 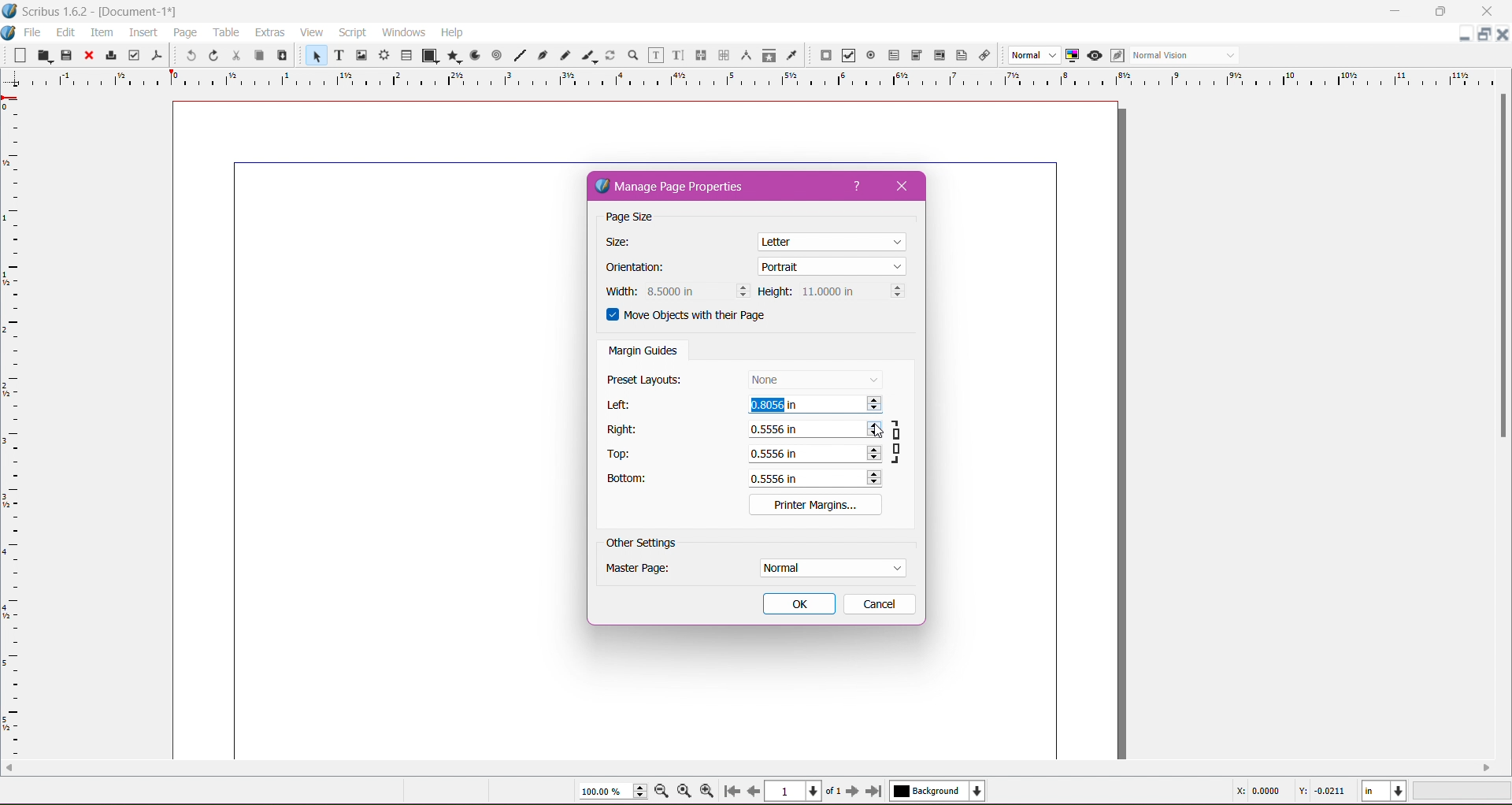 What do you see at coordinates (699, 55) in the screenshot?
I see `Link Text Frames` at bounding box center [699, 55].